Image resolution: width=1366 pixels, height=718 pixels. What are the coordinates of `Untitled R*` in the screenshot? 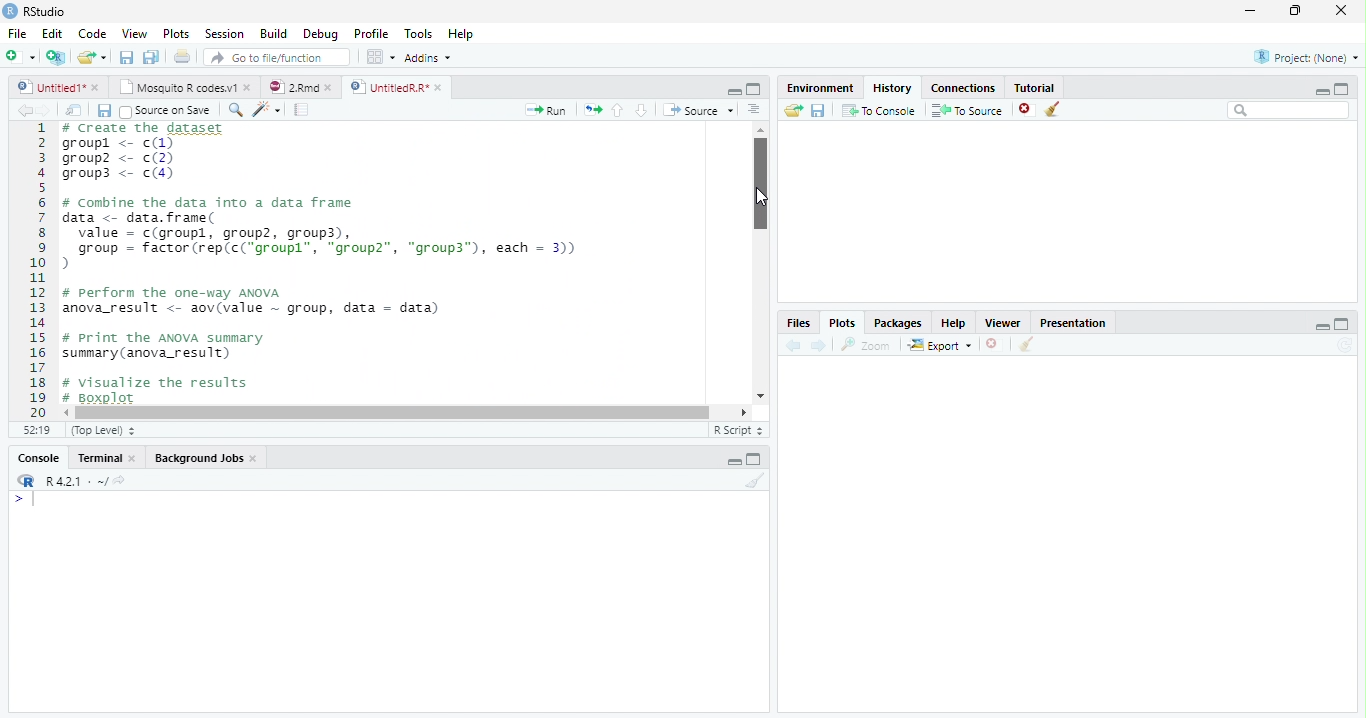 It's located at (396, 87).